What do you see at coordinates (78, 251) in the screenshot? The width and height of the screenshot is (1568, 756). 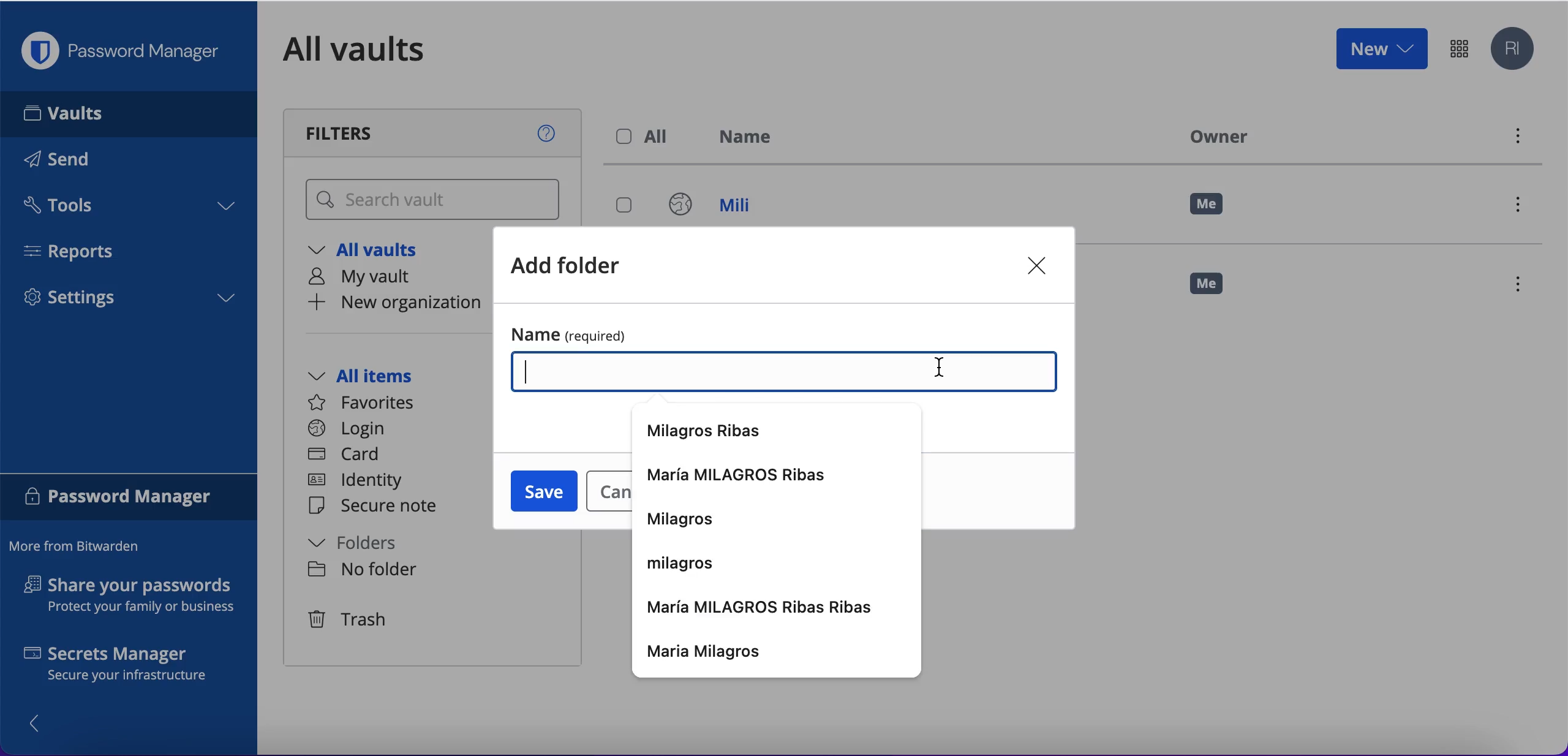 I see `reports` at bounding box center [78, 251].